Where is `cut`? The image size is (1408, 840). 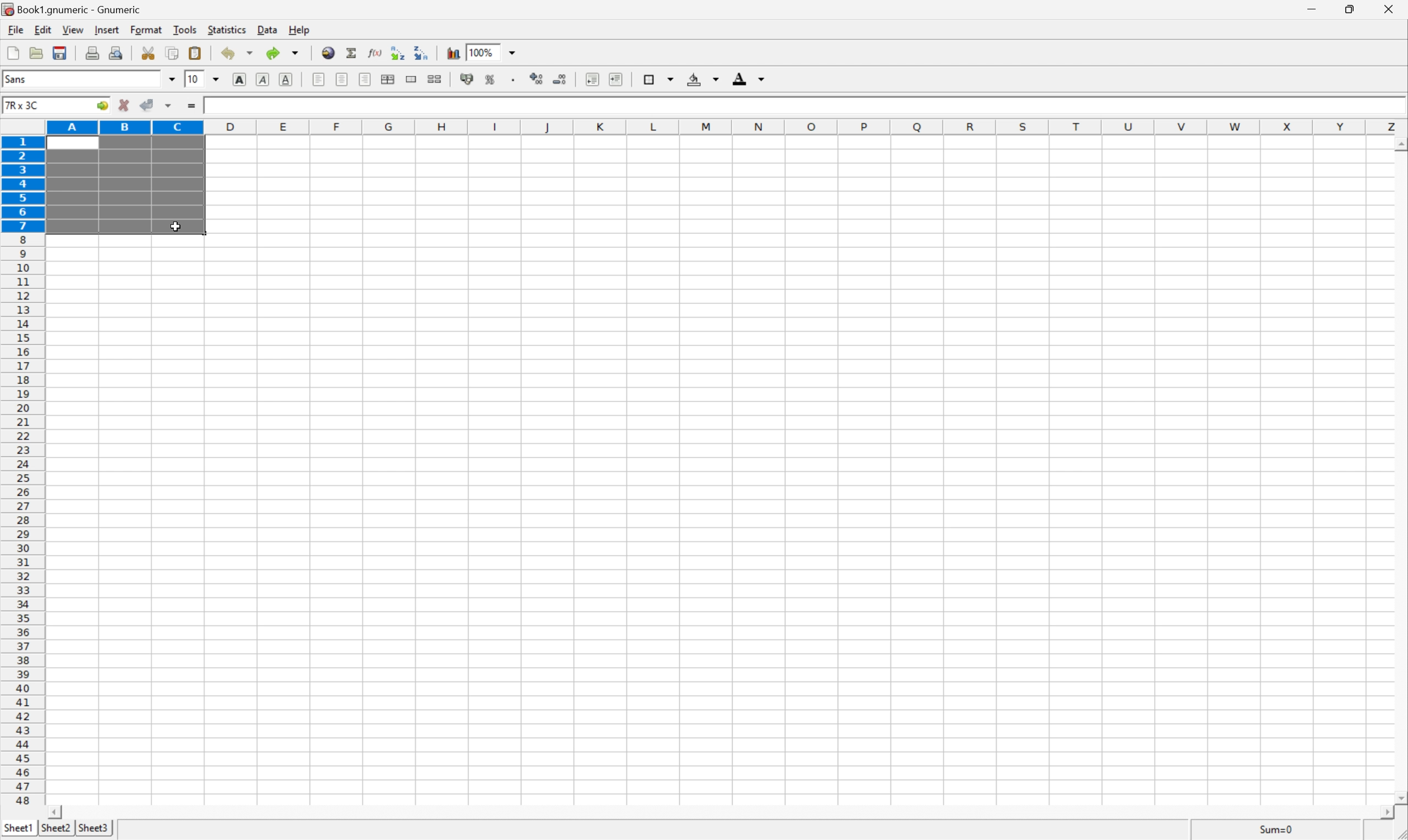
cut is located at coordinates (149, 53).